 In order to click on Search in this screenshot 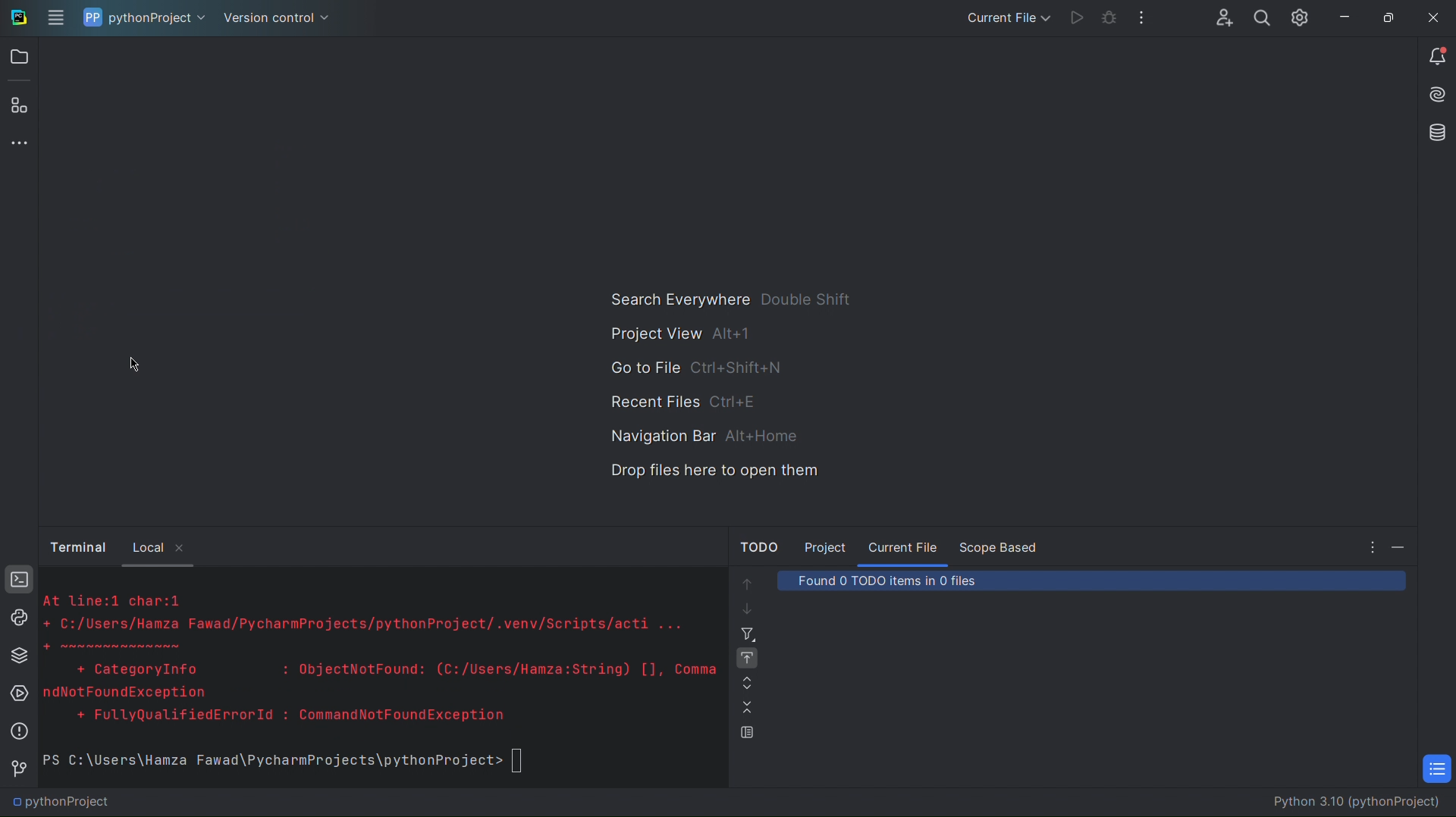, I will do `click(1260, 17)`.